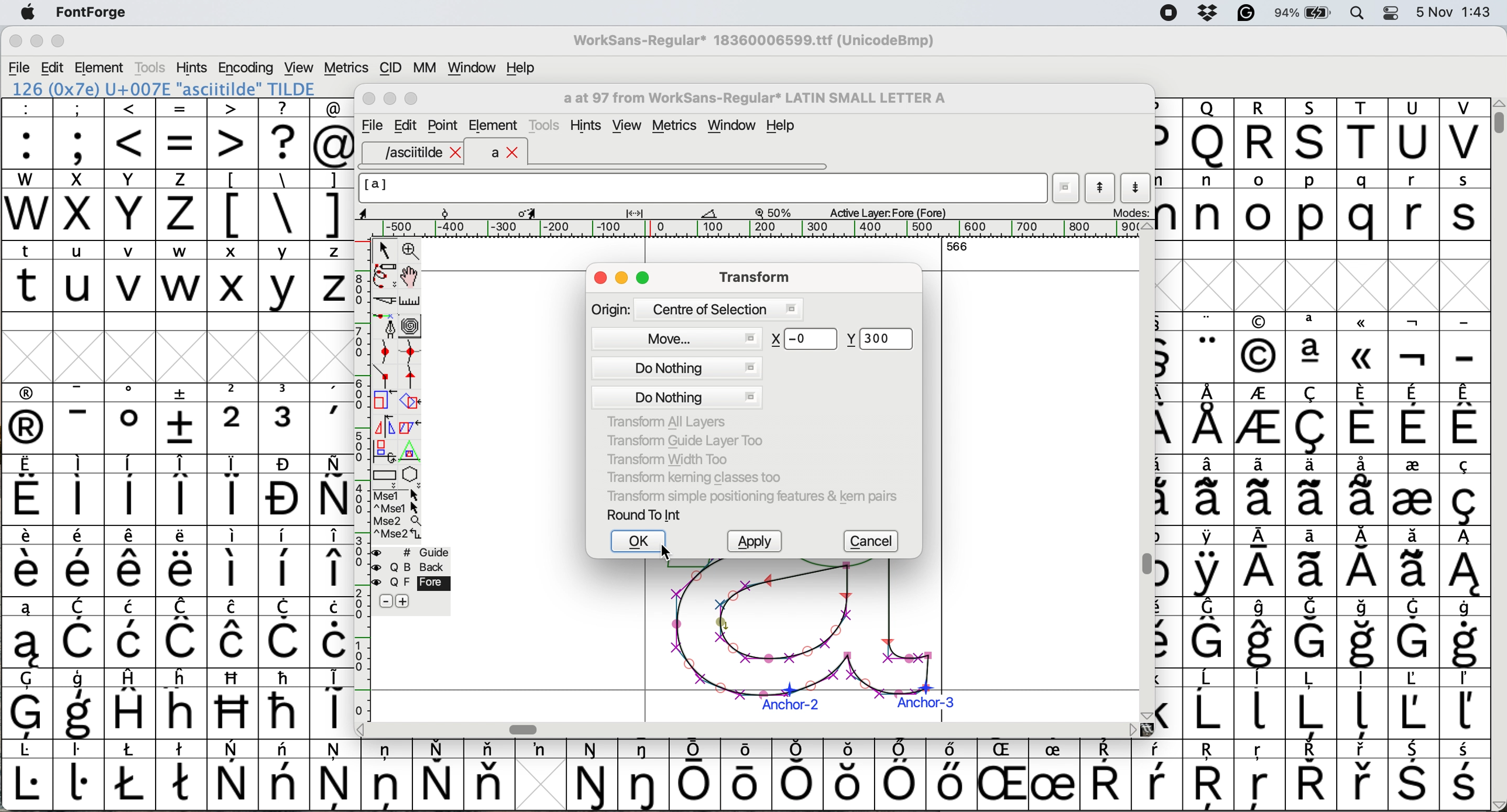  What do you see at coordinates (183, 773) in the screenshot?
I see `symbol` at bounding box center [183, 773].